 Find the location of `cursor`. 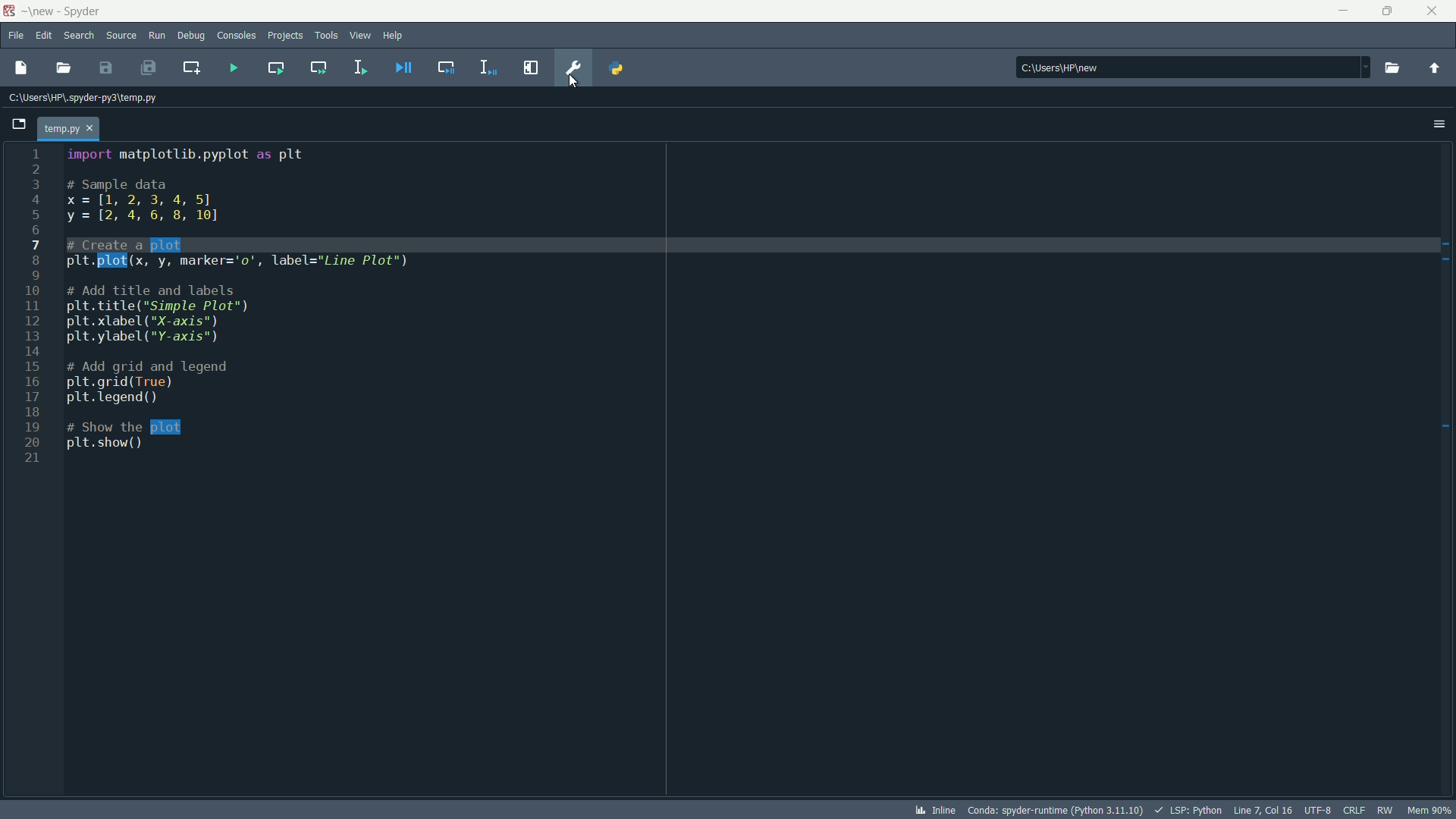

cursor is located at coordinates (573, 83).